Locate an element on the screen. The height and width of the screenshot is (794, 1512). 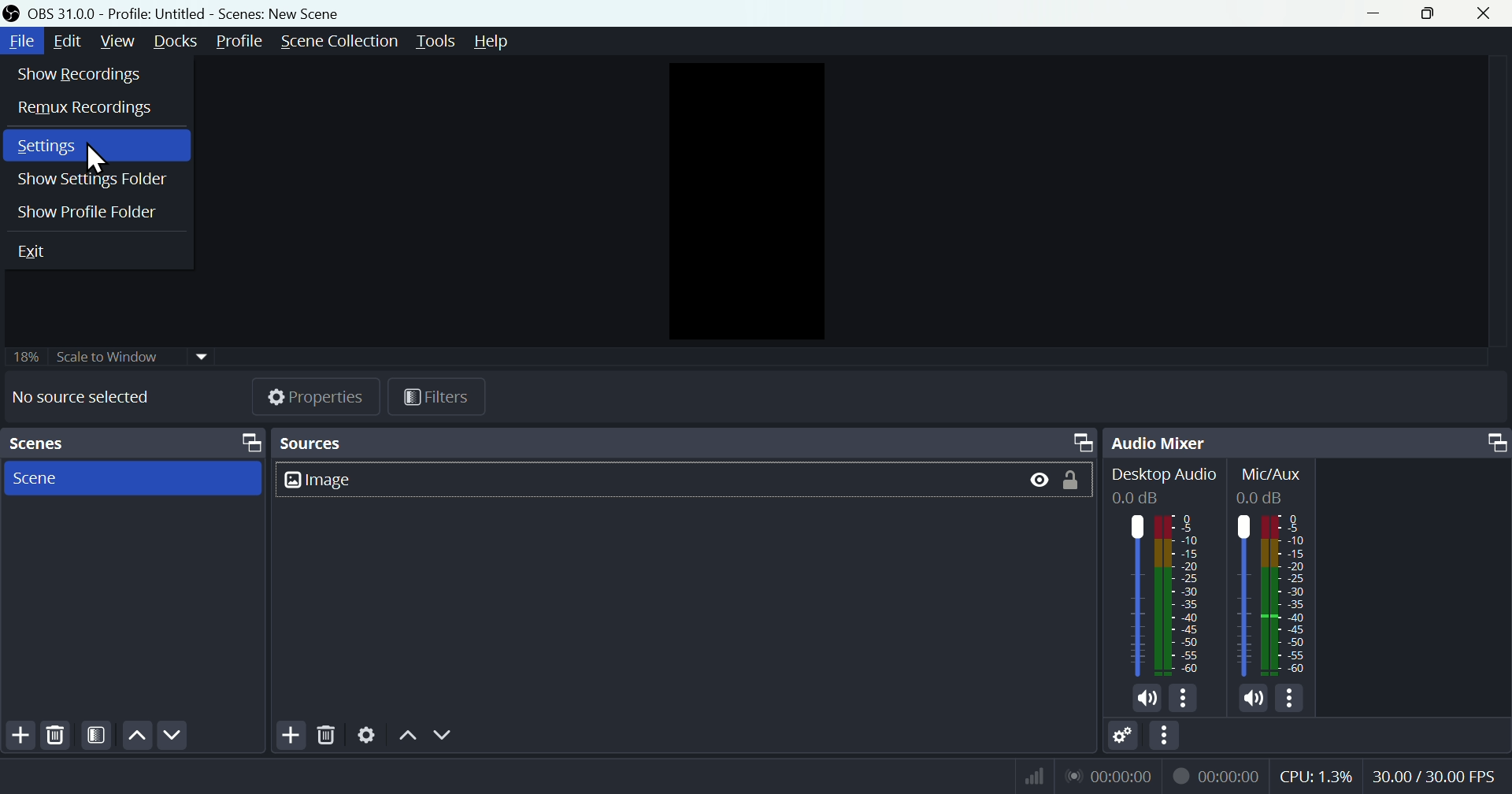
Edit is located at coordinates (67, 44).